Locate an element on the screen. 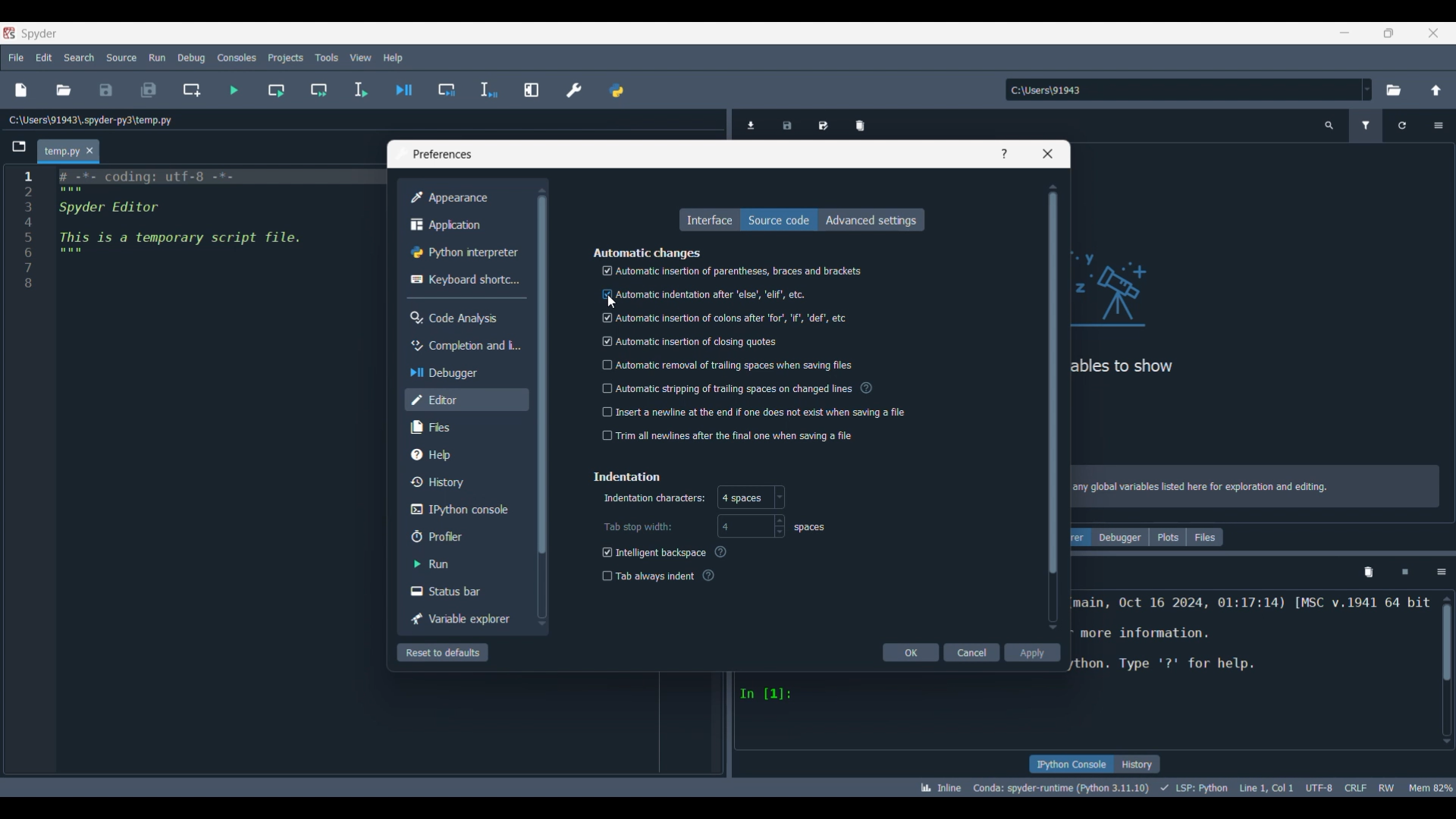  Debug menu is located at coordinates (192, 58).